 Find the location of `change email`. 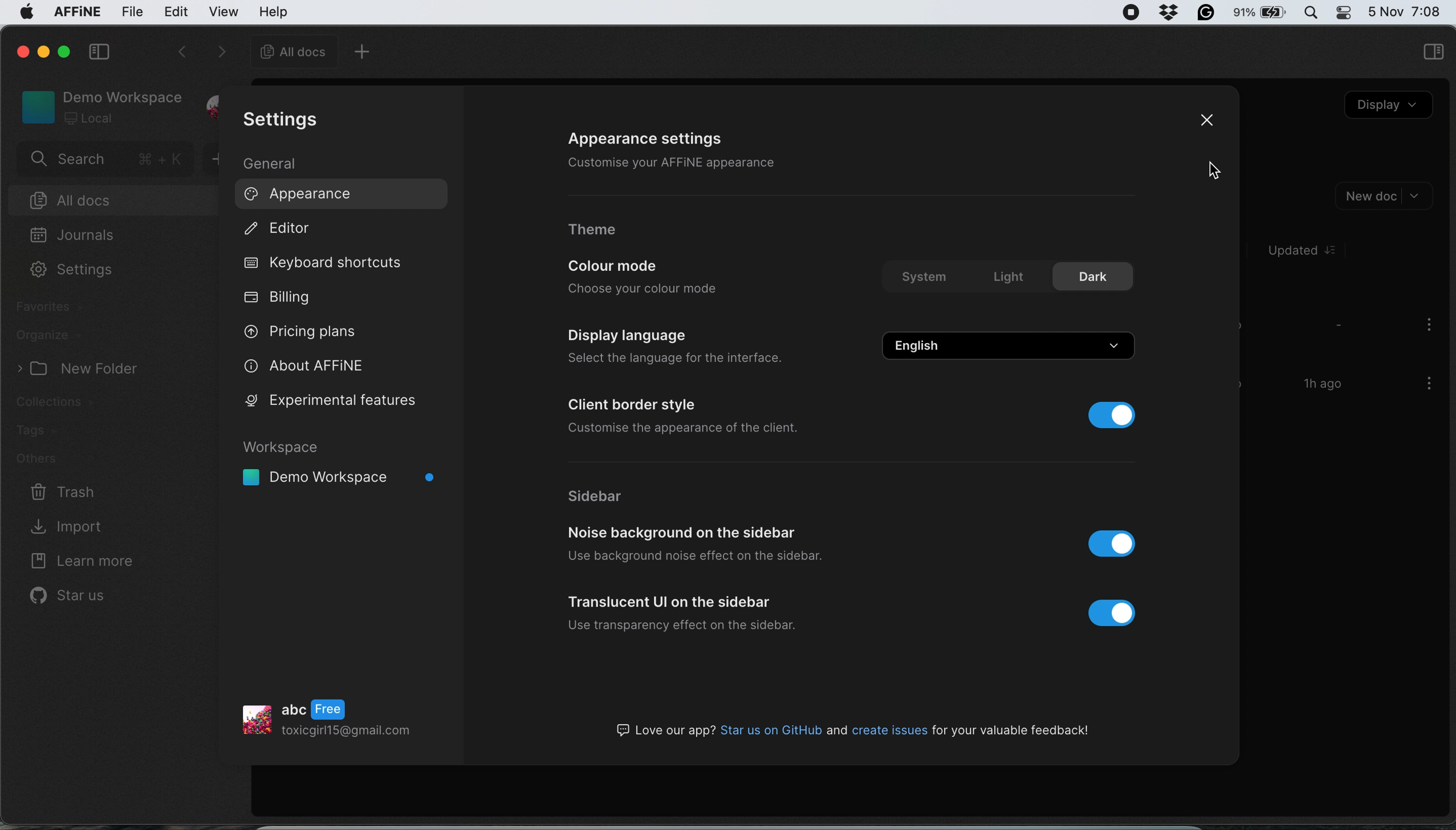

change email is located at coordinates (1084, 380).